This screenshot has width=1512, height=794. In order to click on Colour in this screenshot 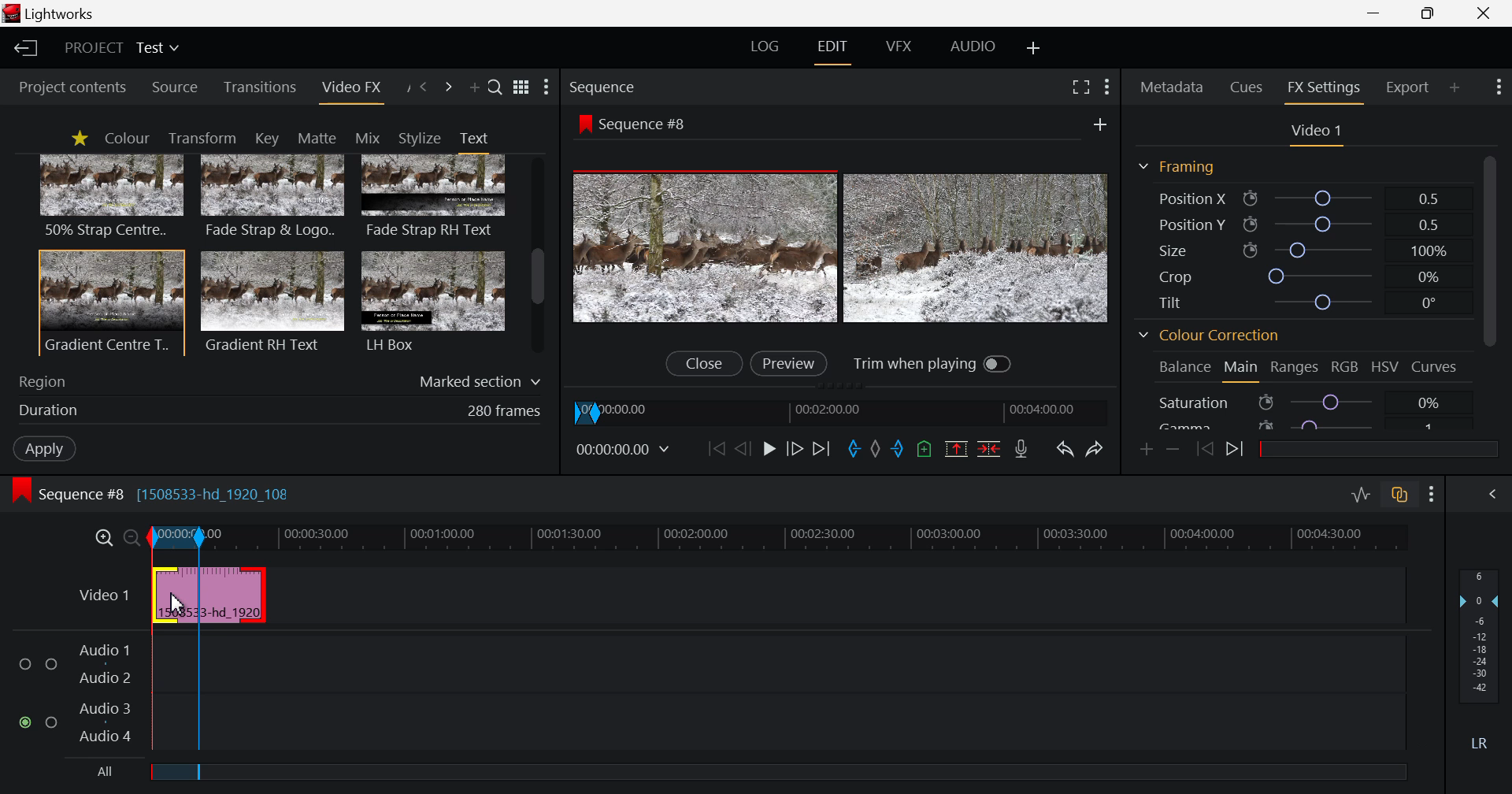, I will do `click(126, 139)`.